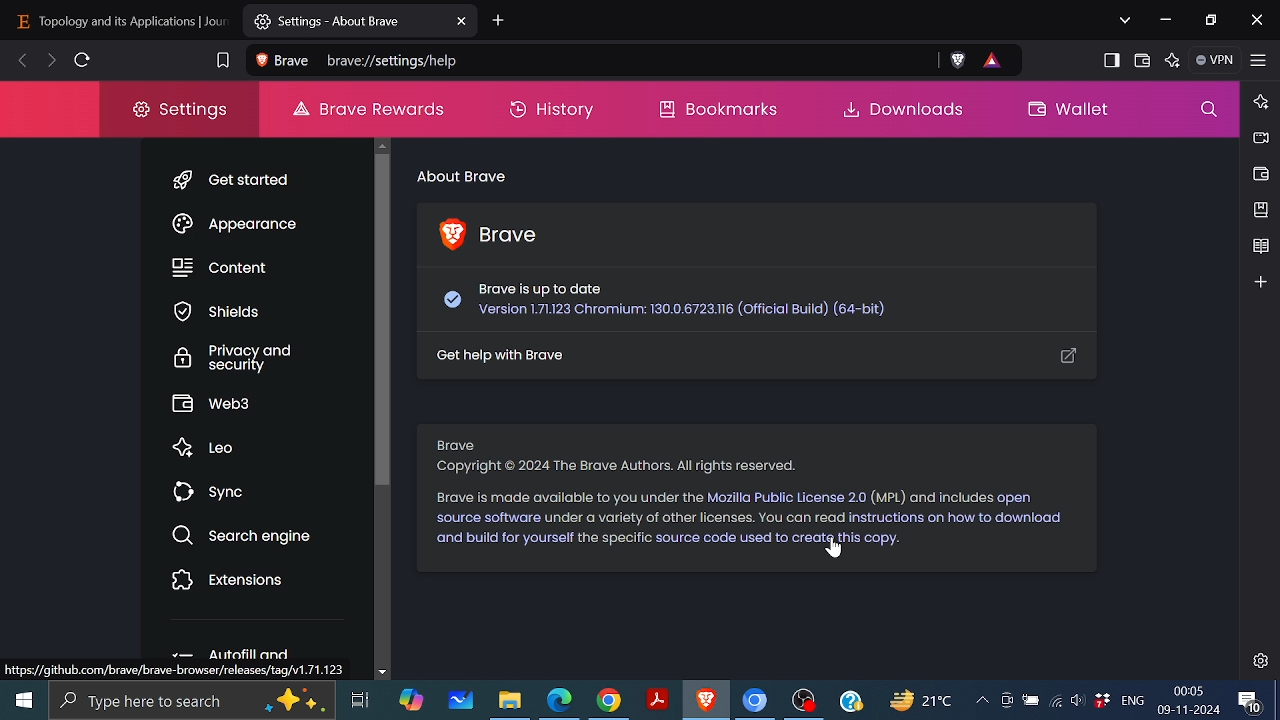  What do you see at coordinates (50, 60) in the screenshot?
I see `Go to next page` at bounding box center [50, 60].